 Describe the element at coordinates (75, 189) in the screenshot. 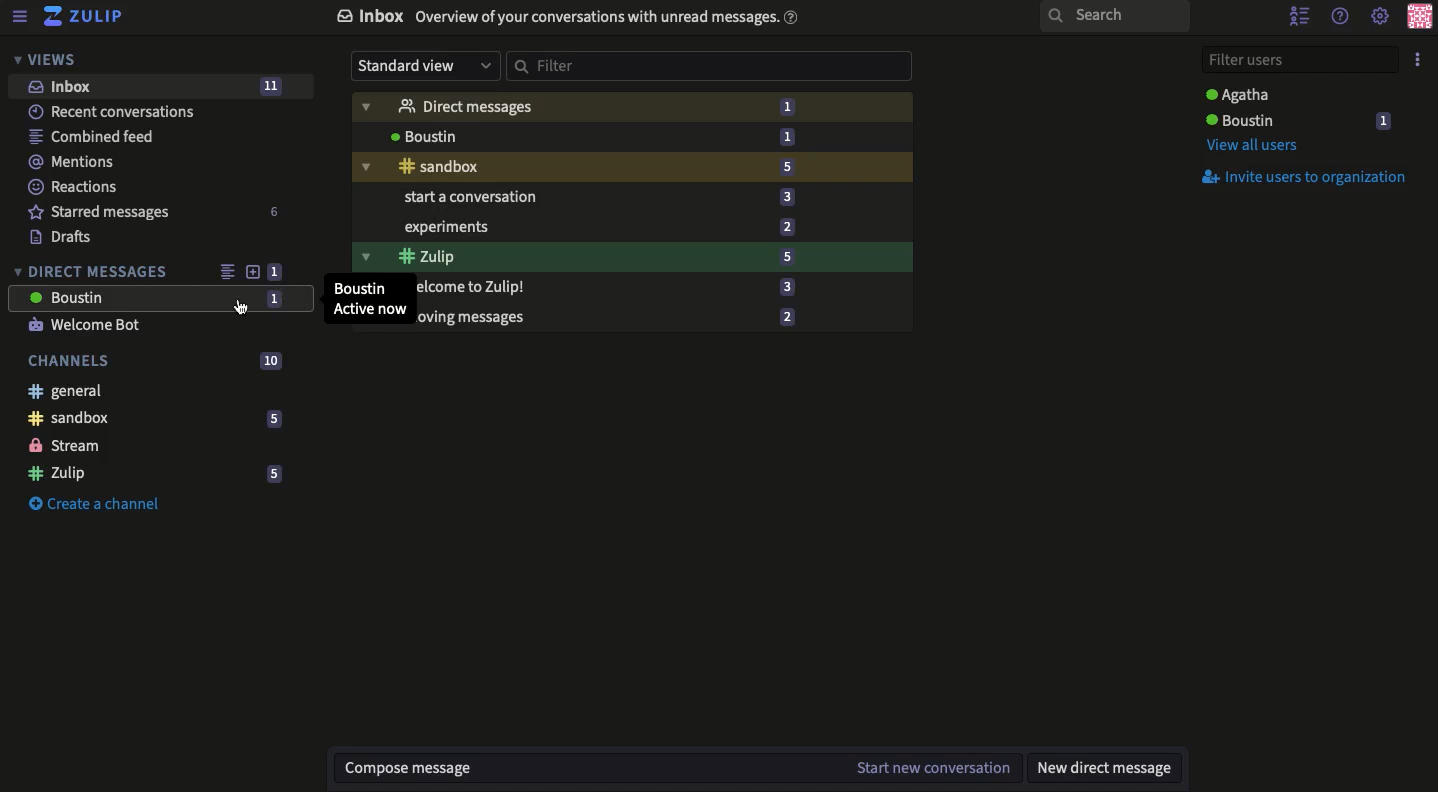

I see `Reactions` at that location.